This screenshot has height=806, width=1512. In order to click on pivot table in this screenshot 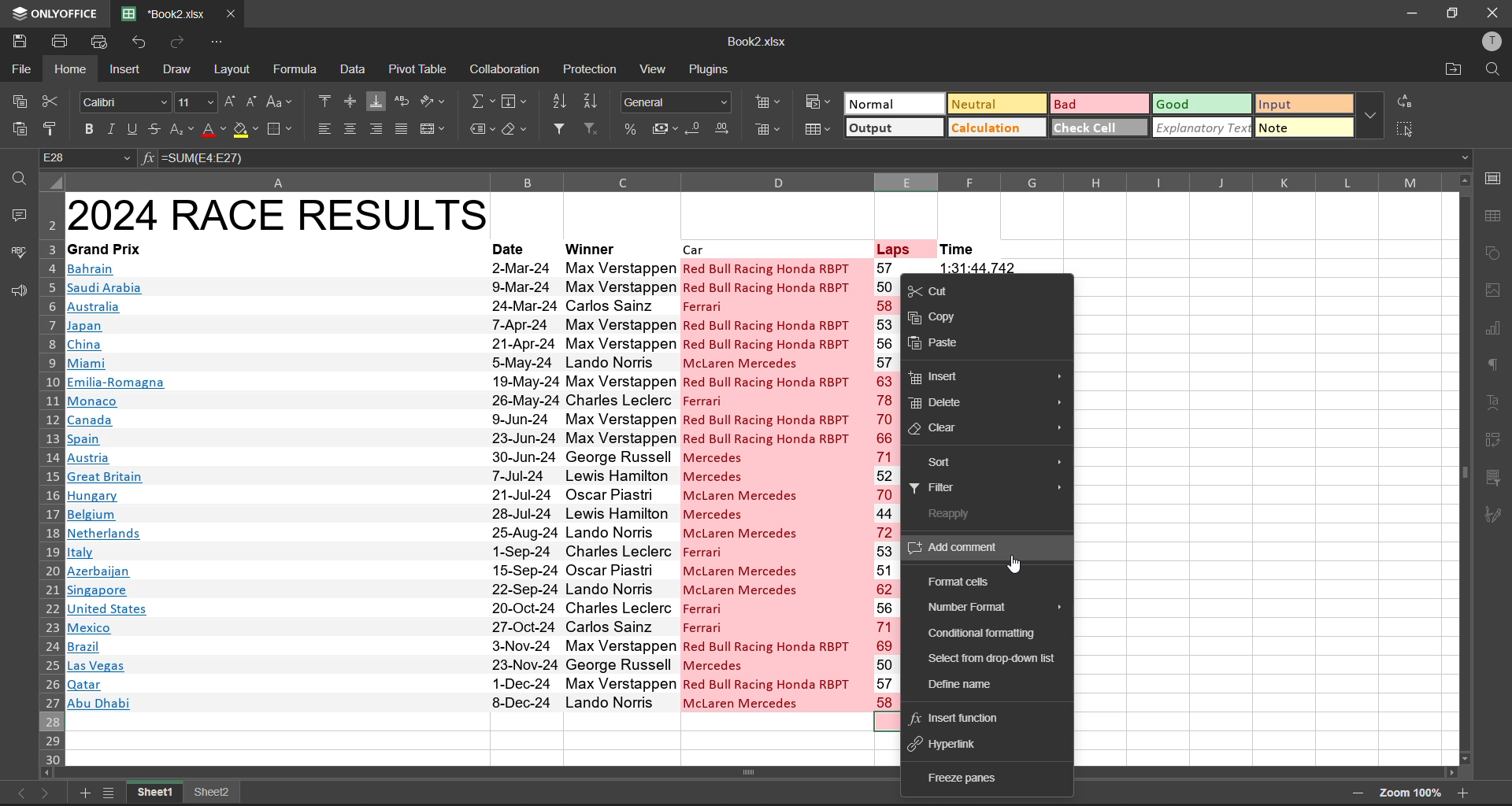, I will do `click(1493, 441)`.